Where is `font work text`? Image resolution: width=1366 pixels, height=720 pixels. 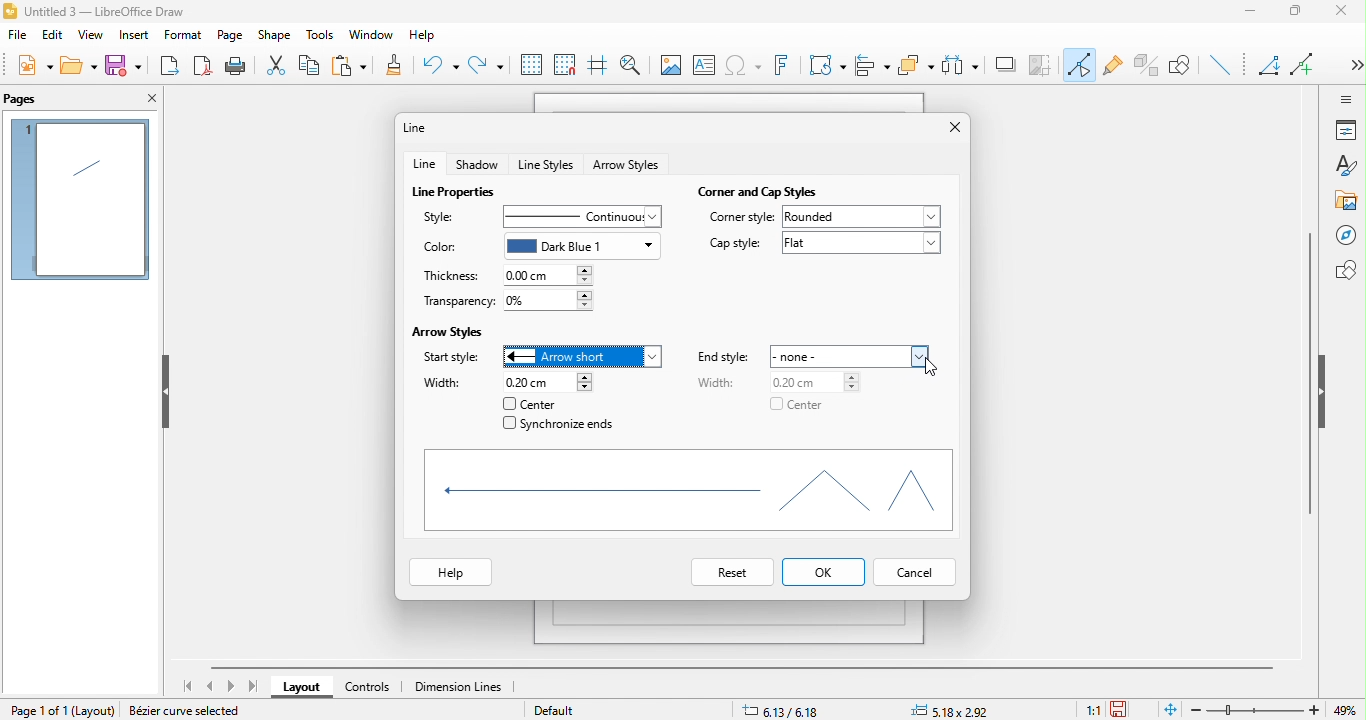
font work text is located at coordinates (786, 69).